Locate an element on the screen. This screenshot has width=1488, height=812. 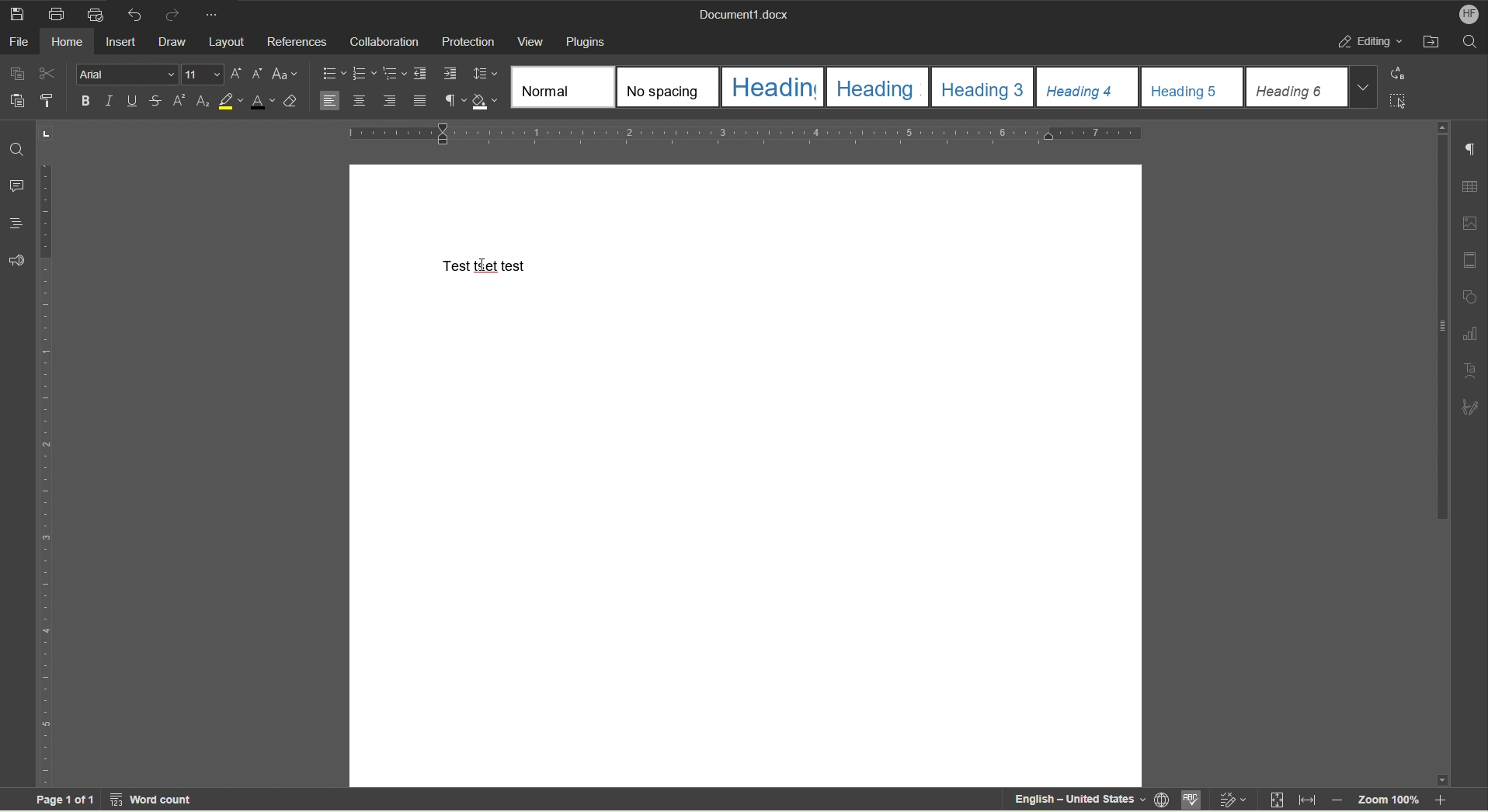
Fit to Width is located at coordinates (1307, 801).